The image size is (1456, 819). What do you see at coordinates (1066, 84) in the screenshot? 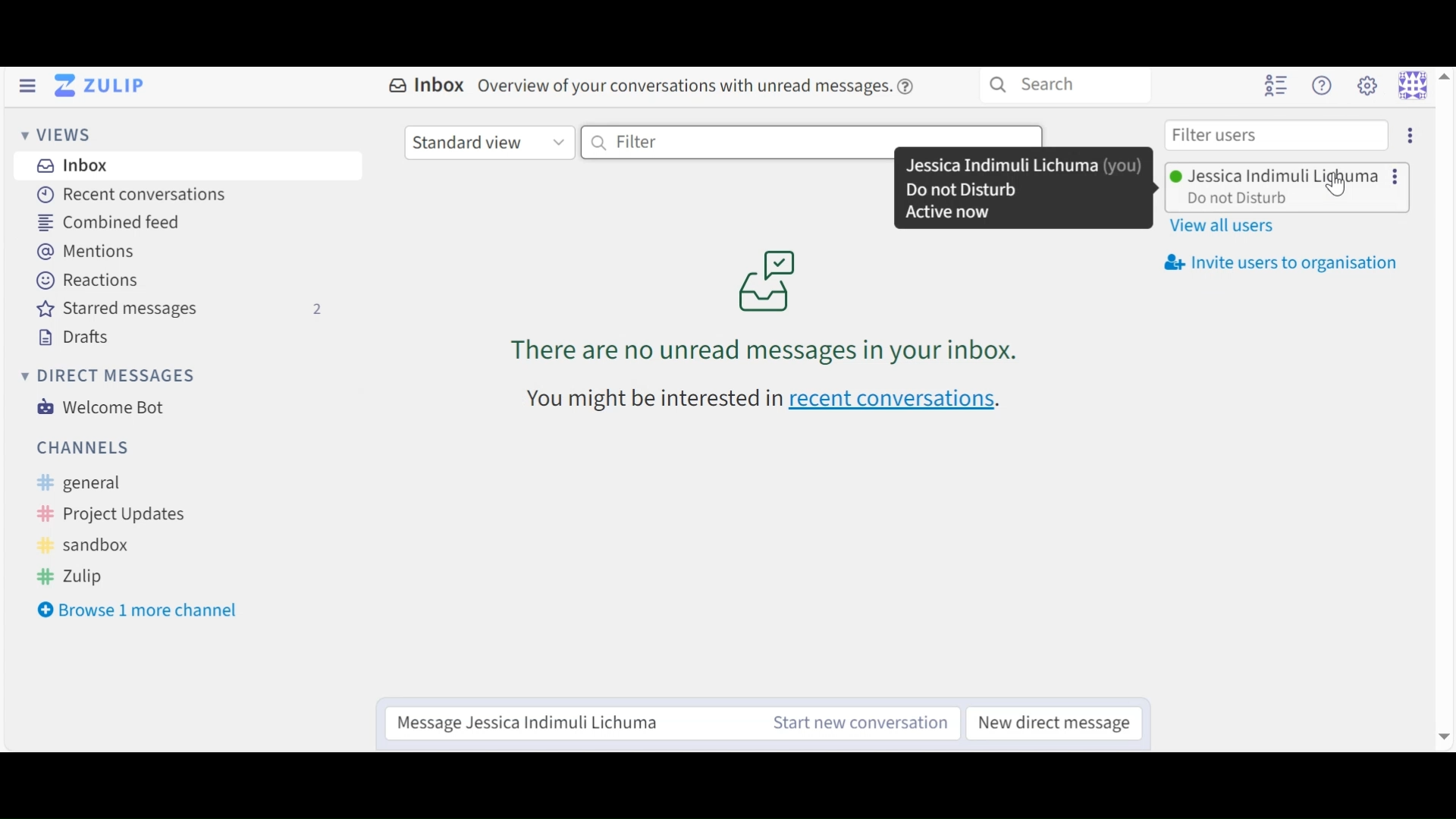
I see `Search` at bounding box center [1066, 84].